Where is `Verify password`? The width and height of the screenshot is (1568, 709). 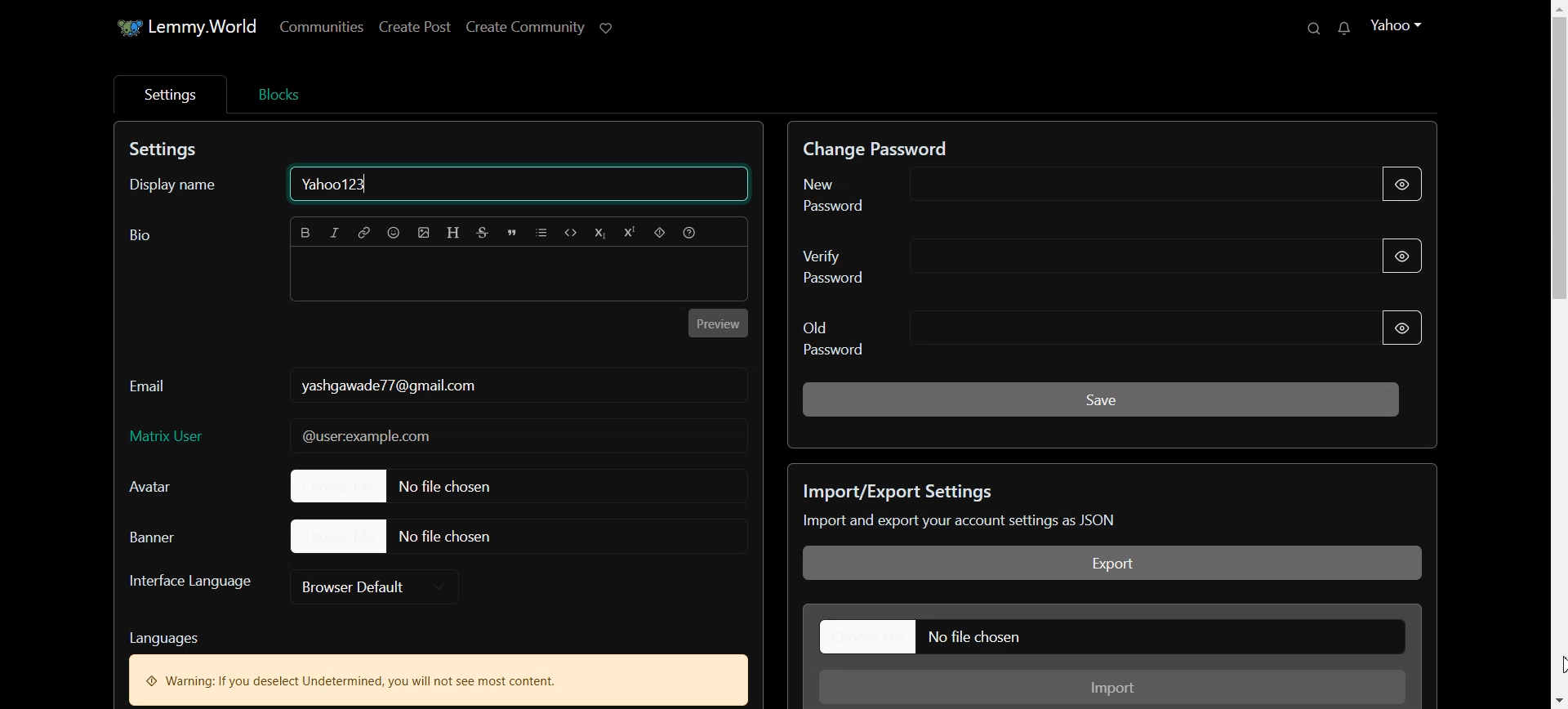
Verify password is located at coordinates (1049, 262).